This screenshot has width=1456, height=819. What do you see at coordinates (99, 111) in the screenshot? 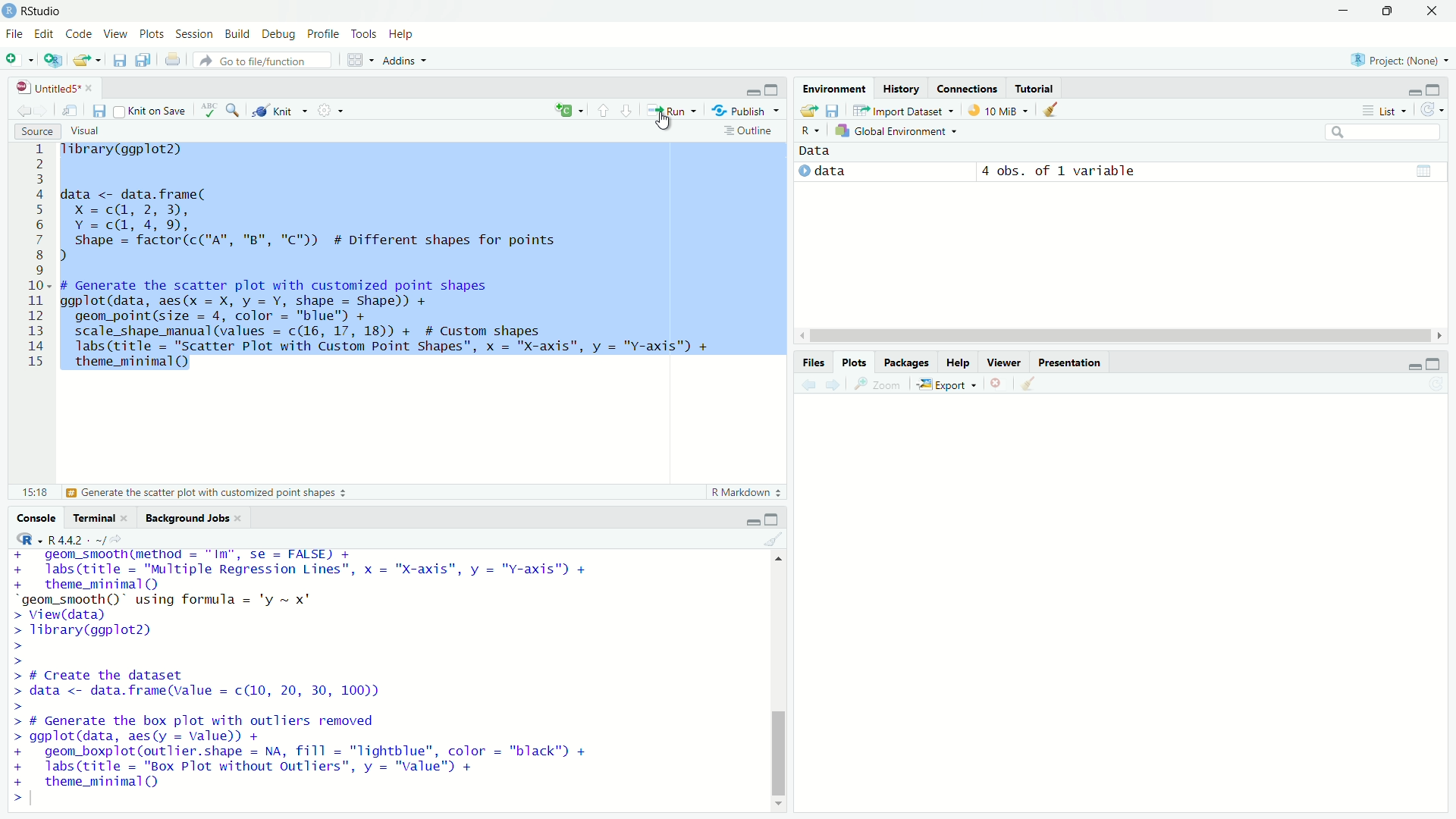
I see `Save current document` at bounding box center [99, 111].